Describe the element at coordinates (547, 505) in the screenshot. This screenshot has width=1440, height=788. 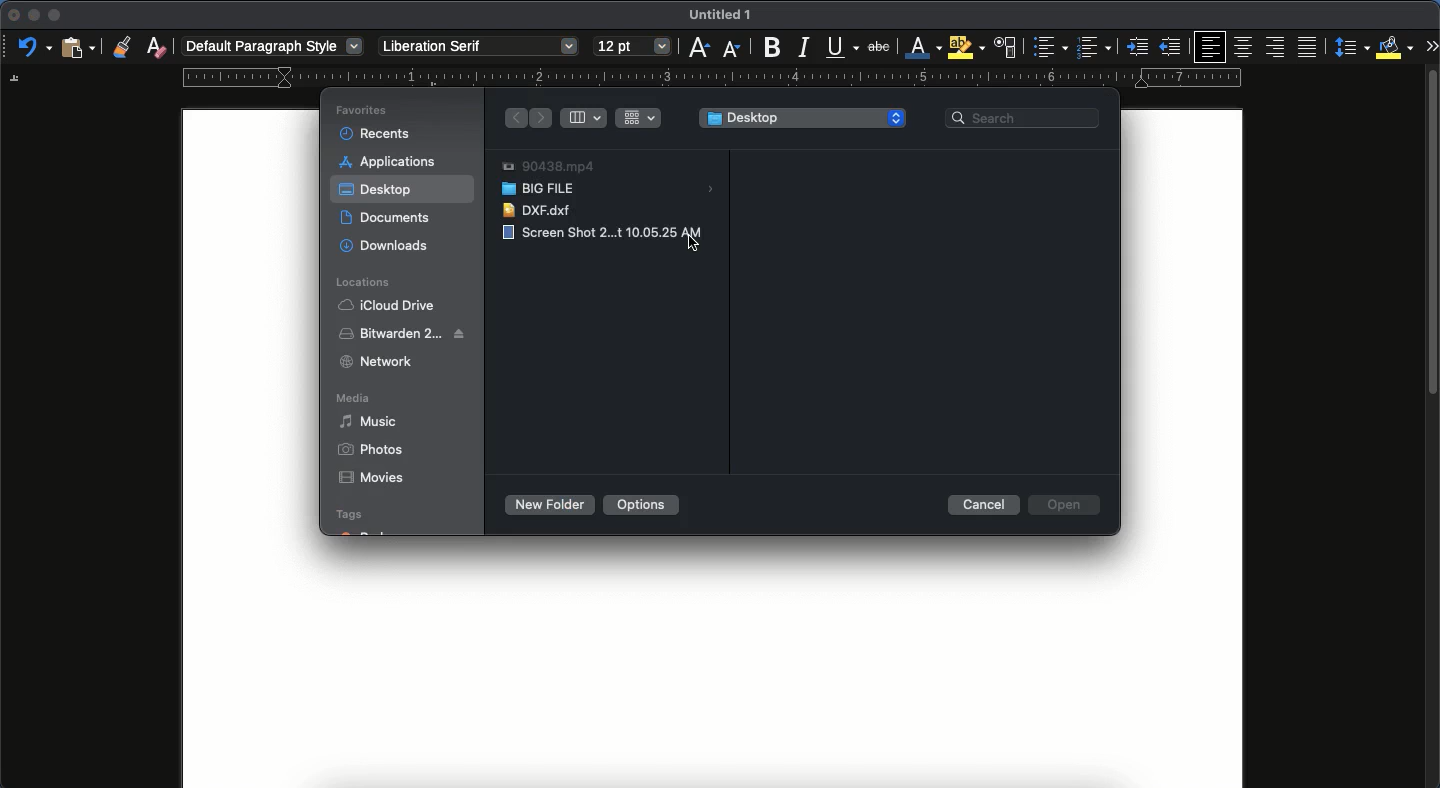
I see `new folder` at that location.